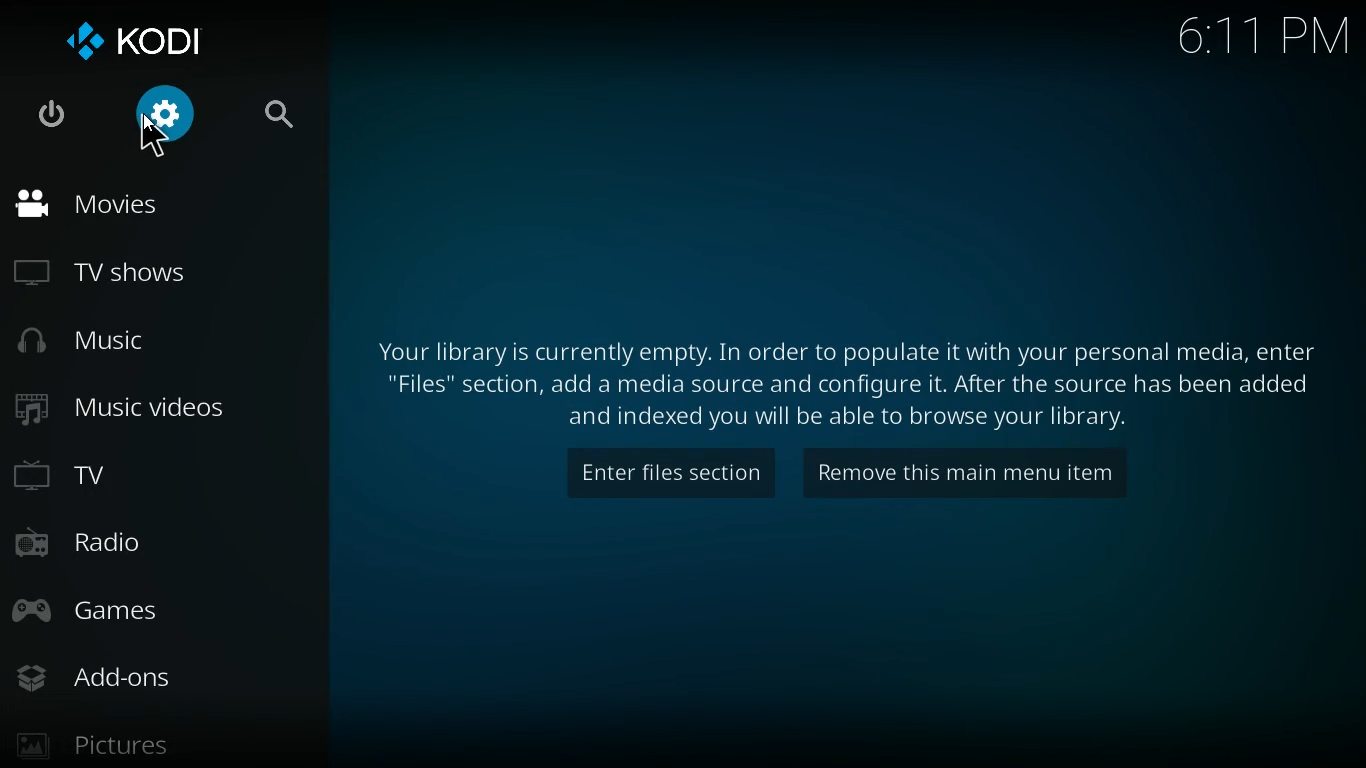 This screenshot has height=768, width=1366. Describe the element at coordinates (150, 136) in the screenshot. I see `Cursor` at that location.